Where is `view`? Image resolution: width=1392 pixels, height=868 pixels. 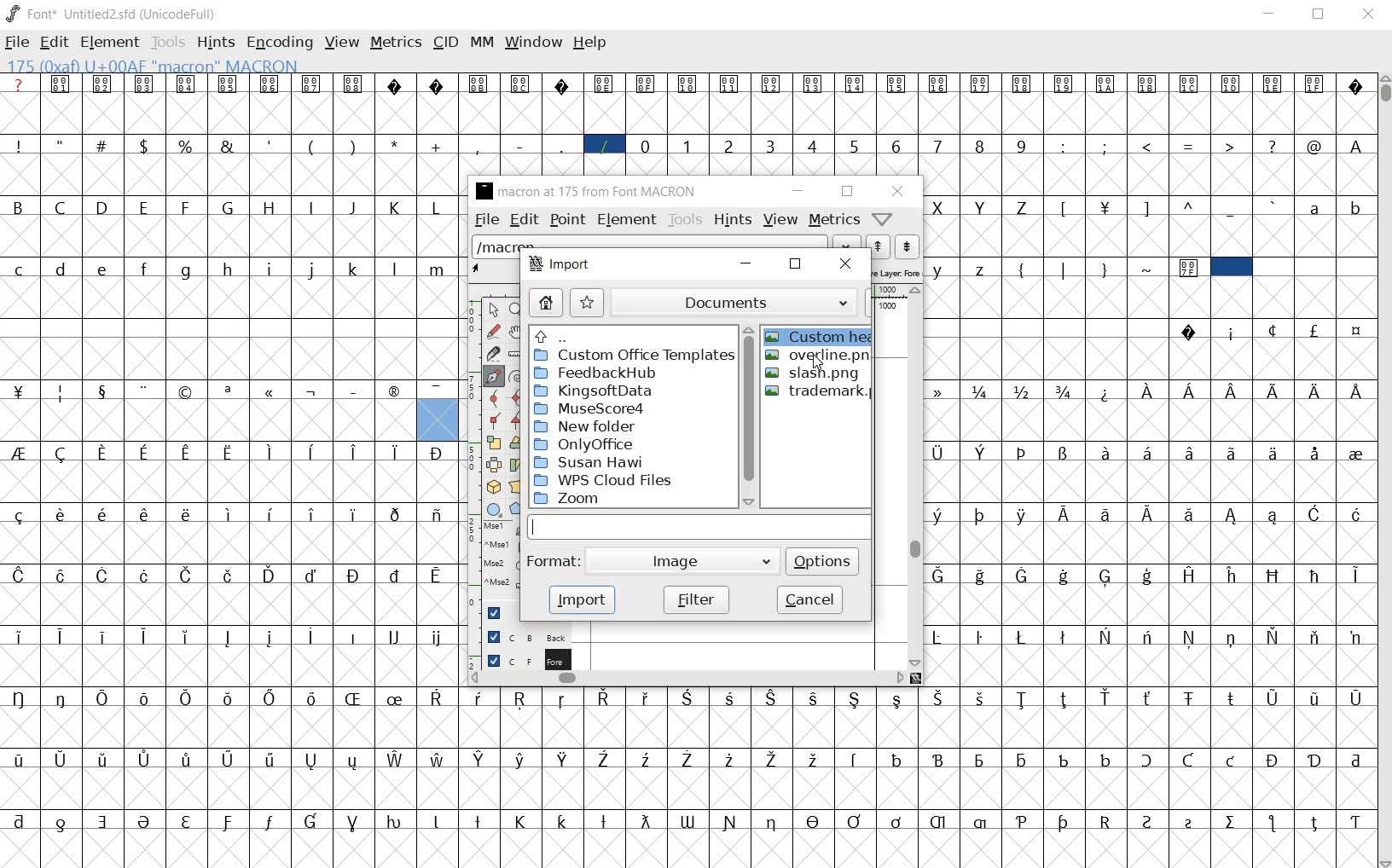 view is located at coordinates (780, 222).